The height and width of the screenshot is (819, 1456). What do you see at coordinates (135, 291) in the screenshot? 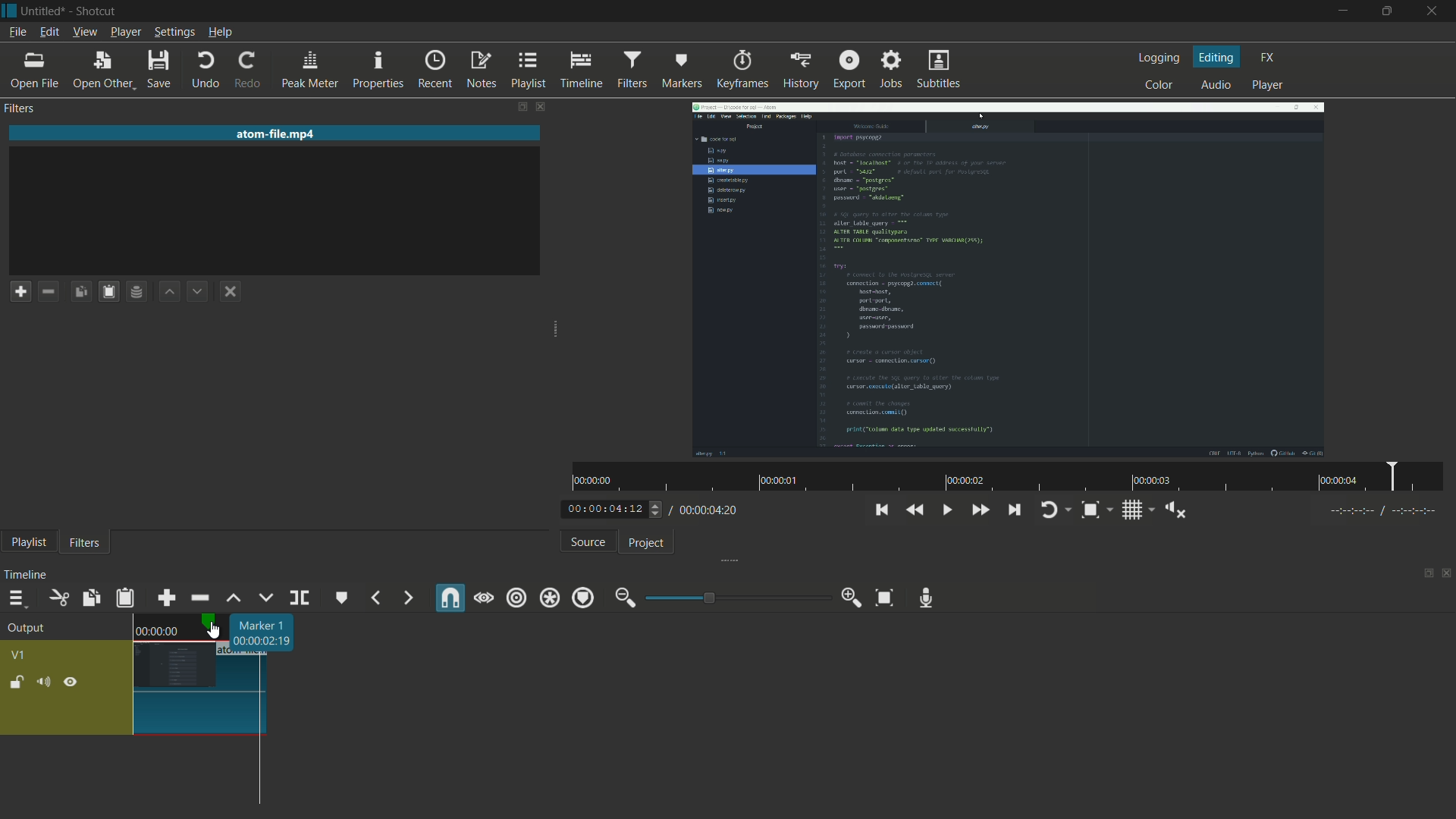
I see `save filter set` at bounding box center [135, 291].